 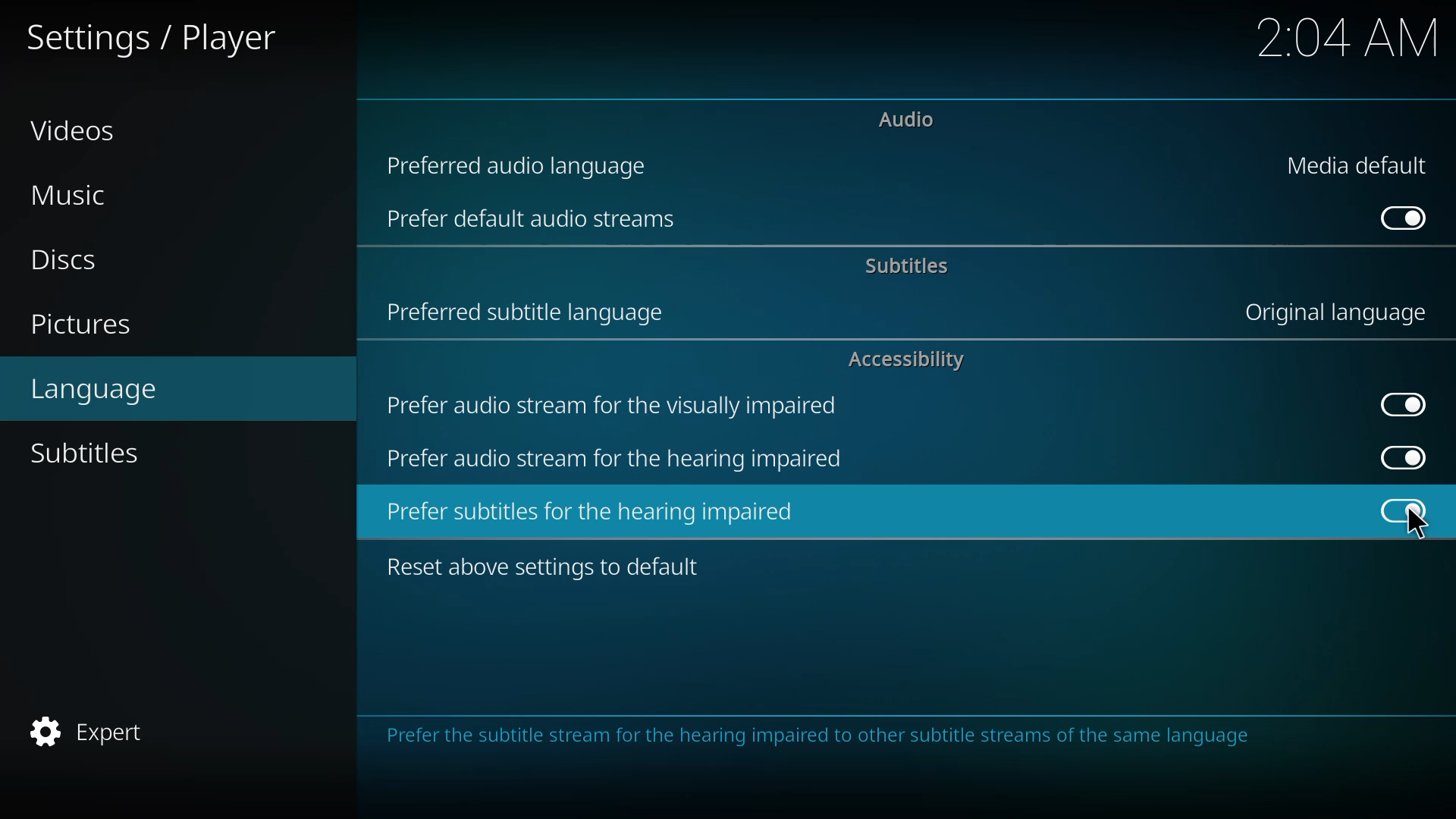 What do you see at coordinates (148, 36) in the screenshot?
I see `settings player` at bounding box center [148, 36].